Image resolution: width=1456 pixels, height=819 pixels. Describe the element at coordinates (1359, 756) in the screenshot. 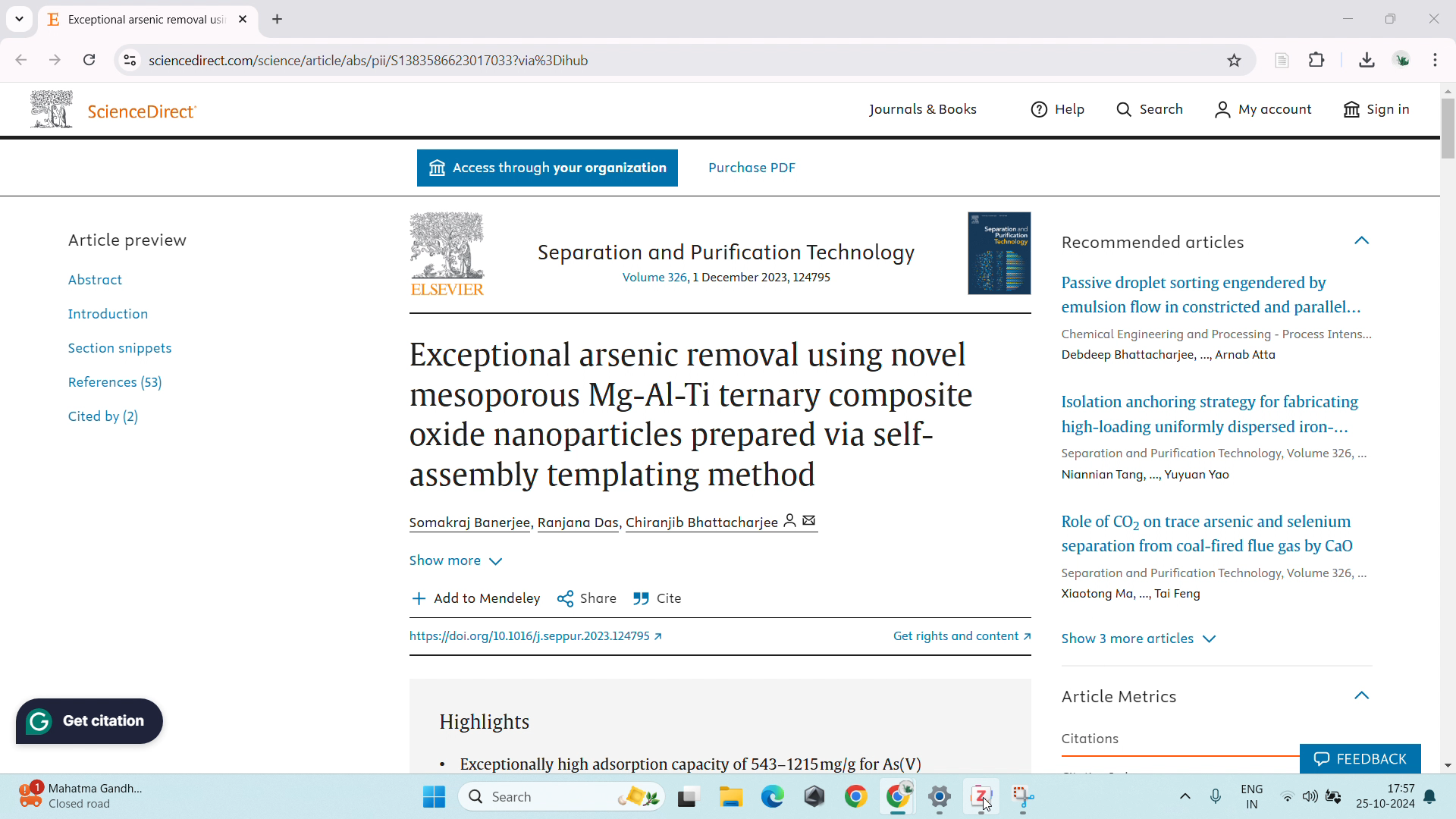

I see `Feedback` at that location.